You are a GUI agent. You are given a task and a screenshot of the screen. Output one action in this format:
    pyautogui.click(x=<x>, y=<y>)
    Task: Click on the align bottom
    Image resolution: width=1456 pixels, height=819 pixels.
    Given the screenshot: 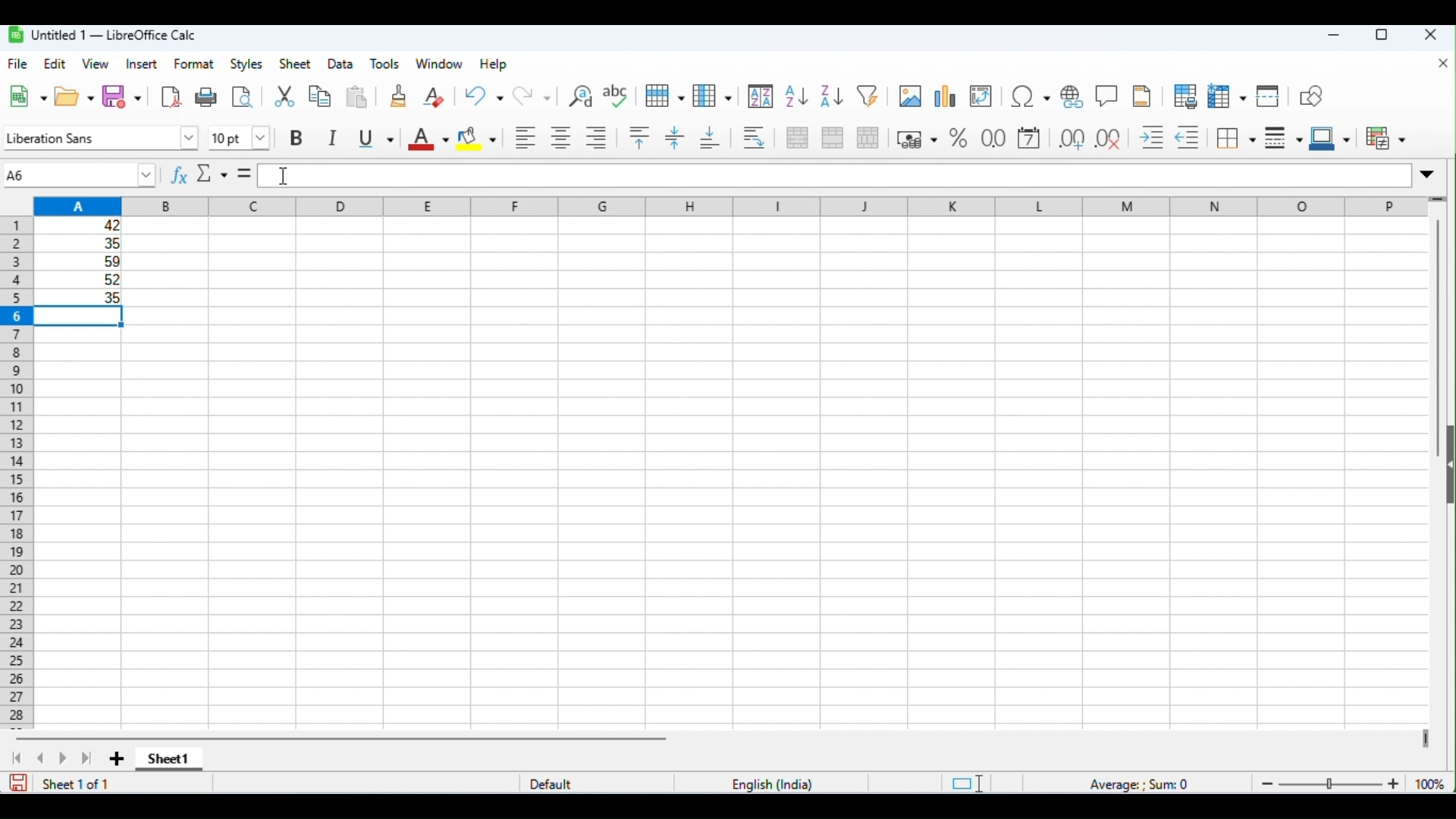 What is the action you would take?
    pyautogui.click(x=711, y=138)
    